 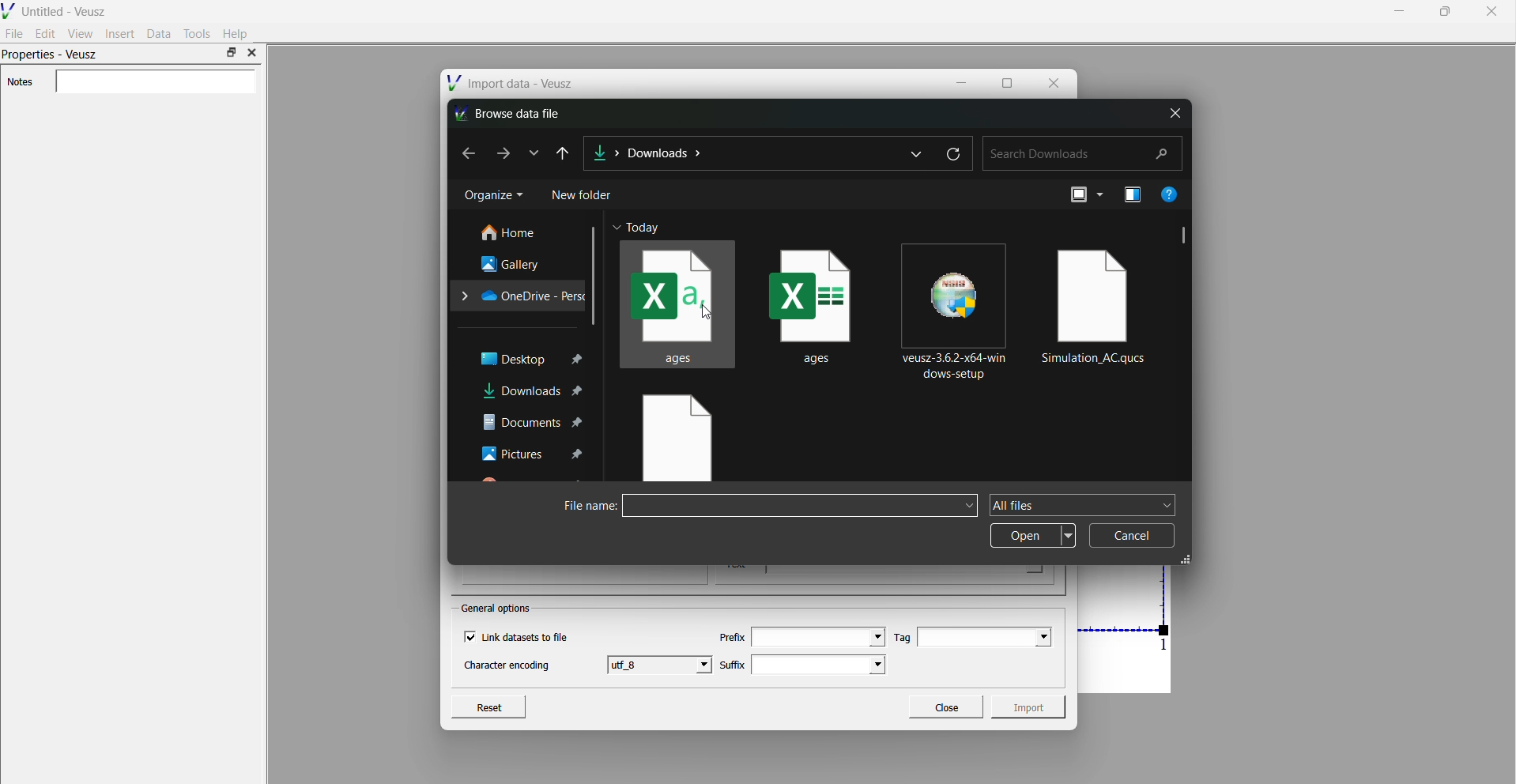 What do you see at coordinates (958, 310) in the screenshot?
I see `veusz-3.6.2-x64-win
dows-setup` at bounding box center [958, 310].